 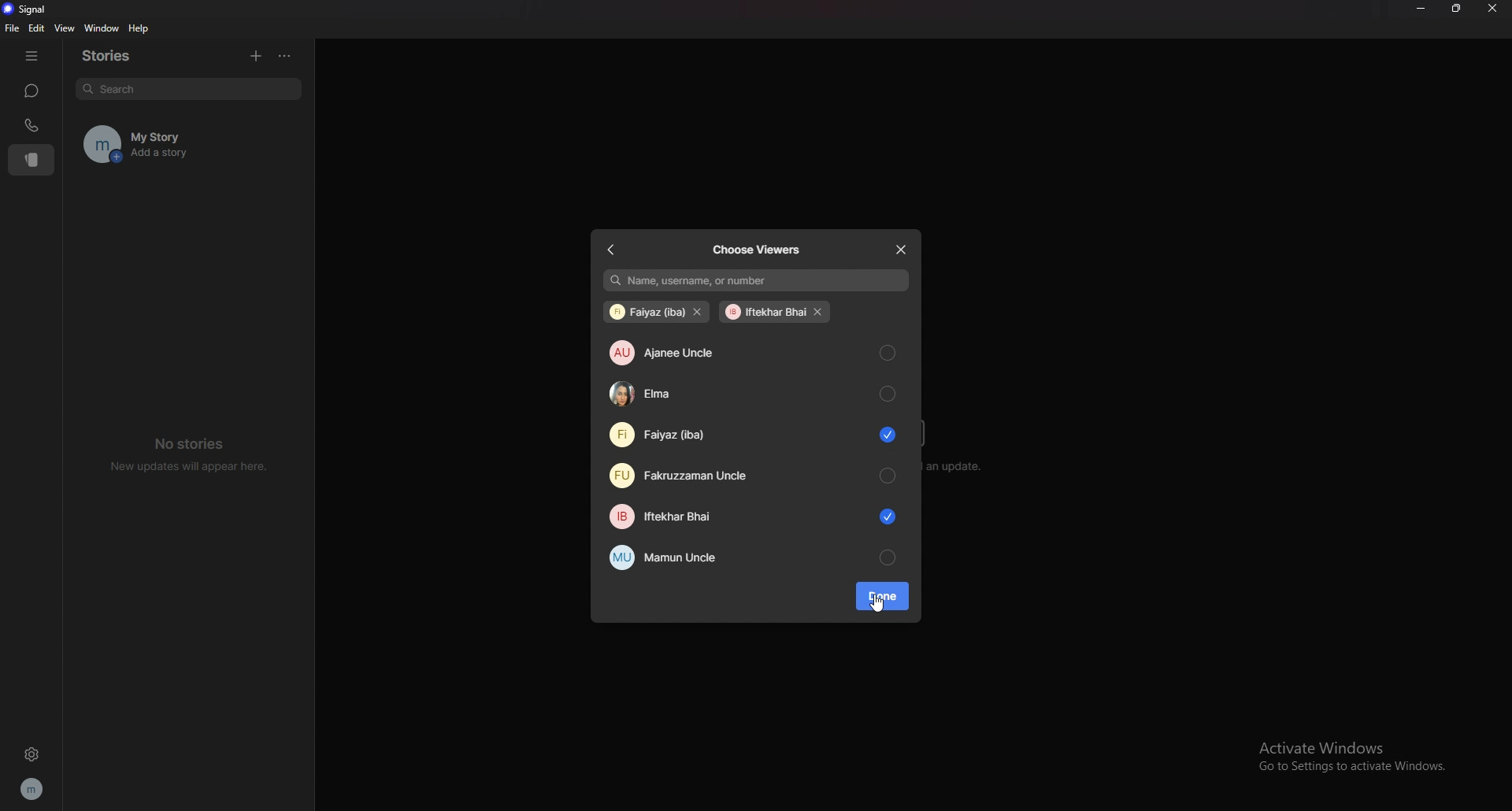 I want to click on iftekhar bhai, so click(x=755, y=517).